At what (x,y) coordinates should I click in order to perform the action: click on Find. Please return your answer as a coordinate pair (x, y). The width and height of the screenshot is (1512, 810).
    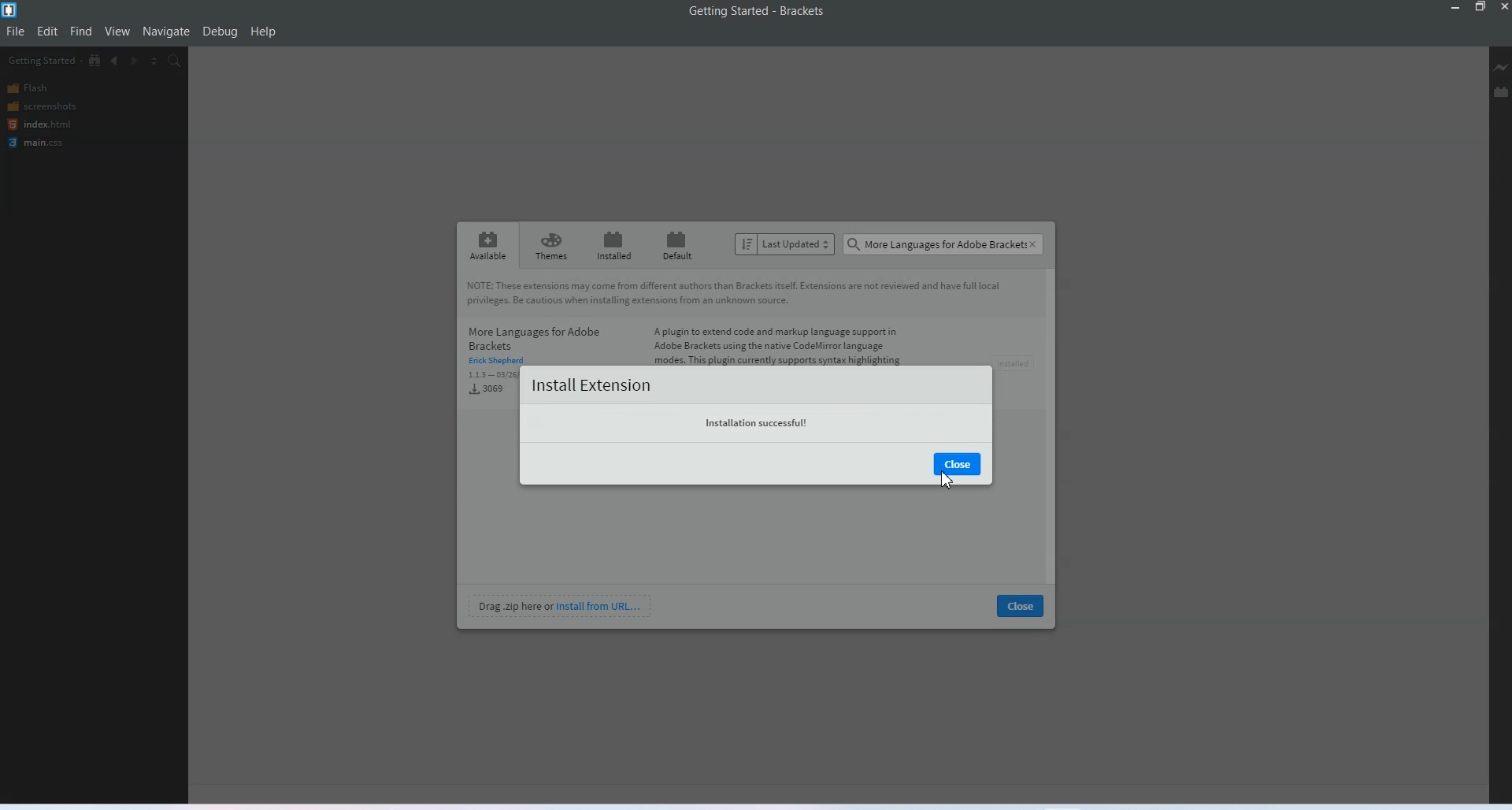
    Looking at the image, I should click on (81, 32).